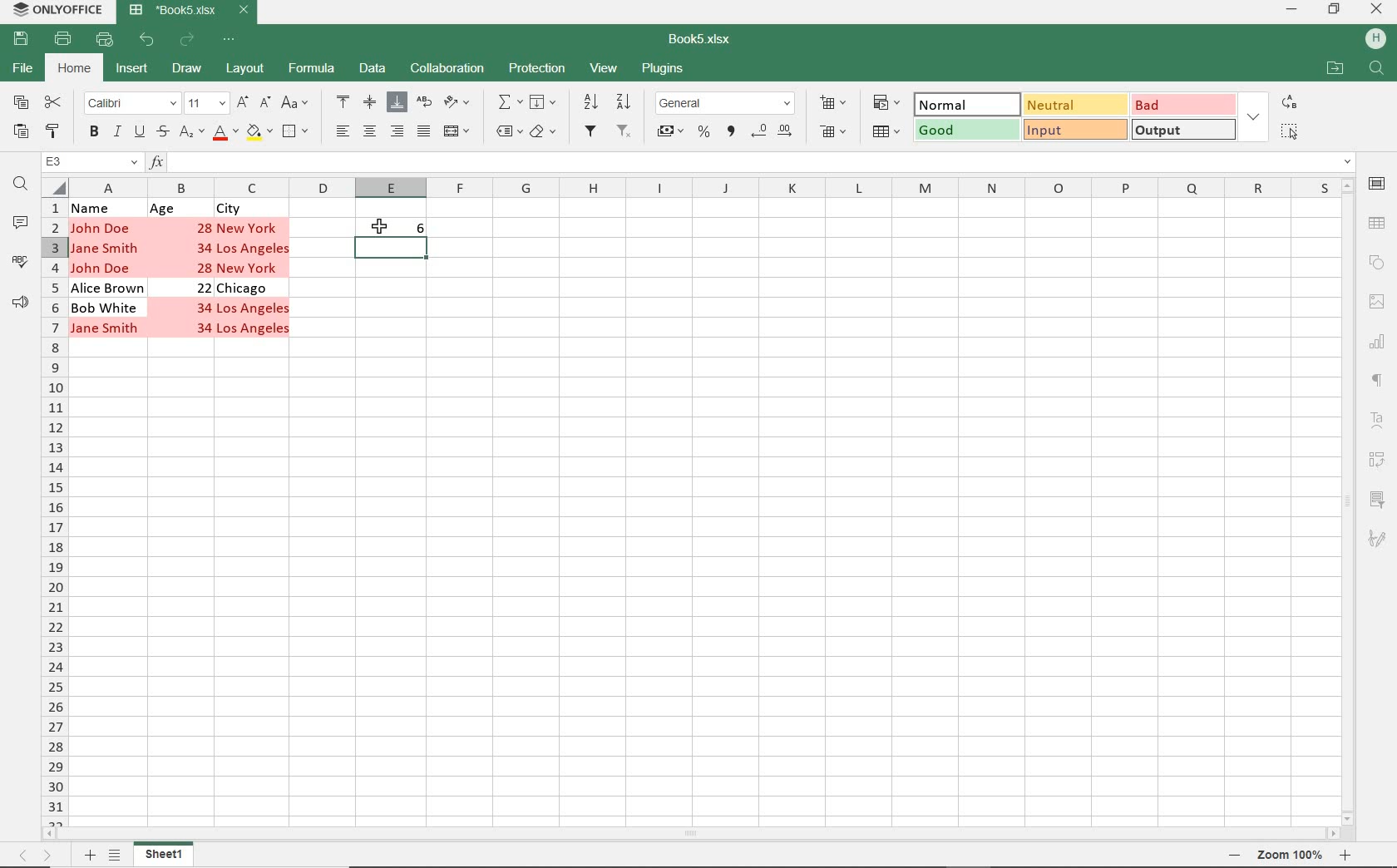  Describe the element at coordinates (26, 70) in the screenshot. I see `FILE` at that location.